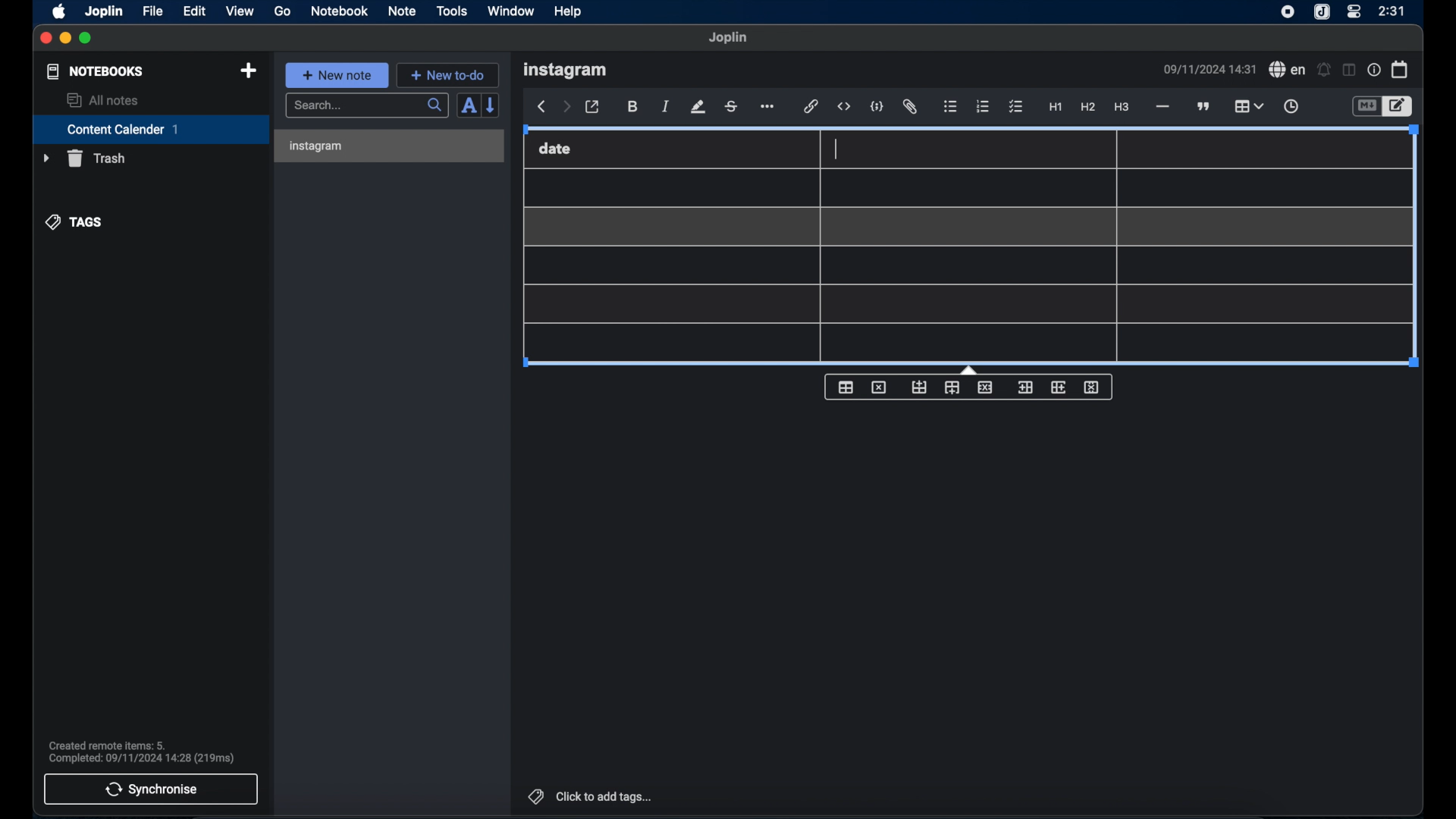 The height and width of the screenshot is (819, 1456). What do you see at coordinates (1210, 69) in the screenshot?
I see `date and time` at bounding box center [1210, 69].